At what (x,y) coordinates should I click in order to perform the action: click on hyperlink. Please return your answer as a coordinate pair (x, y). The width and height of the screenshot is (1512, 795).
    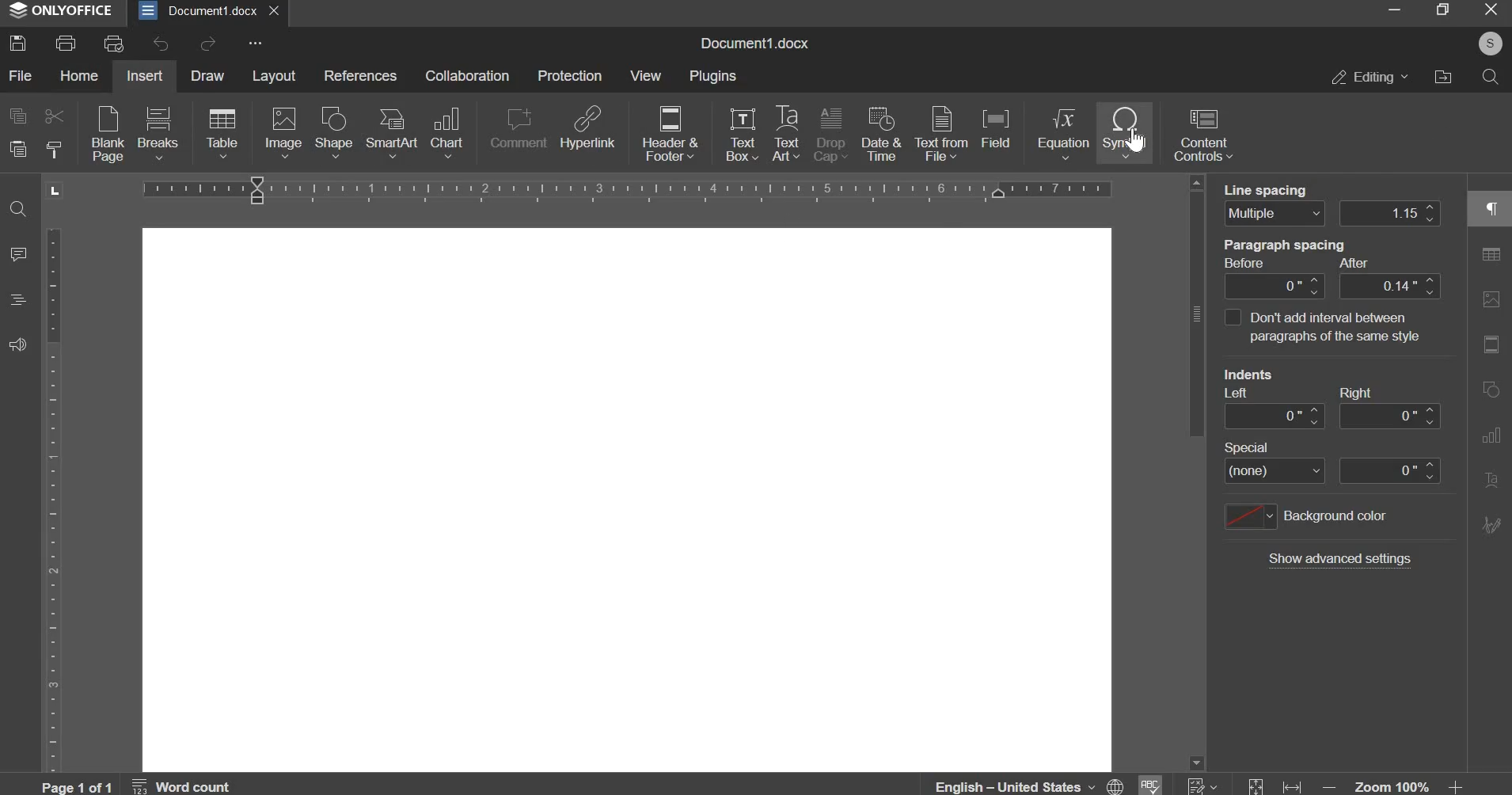
    Looking at the image, I should click on (588, 126).